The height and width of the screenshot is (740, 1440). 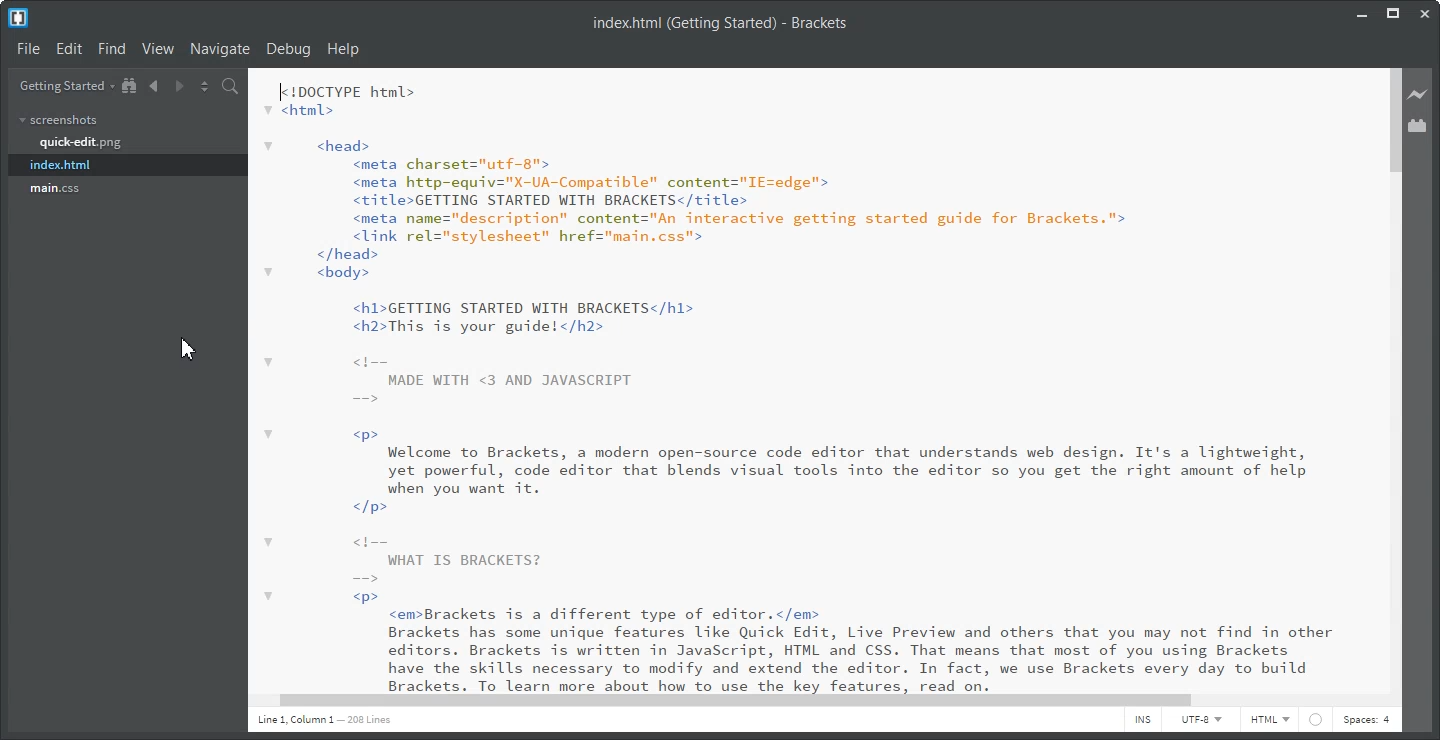 What do you see at coordinates (323, 721) in the screenshot?
I see `Text 3` at bounding box center [323, 721].